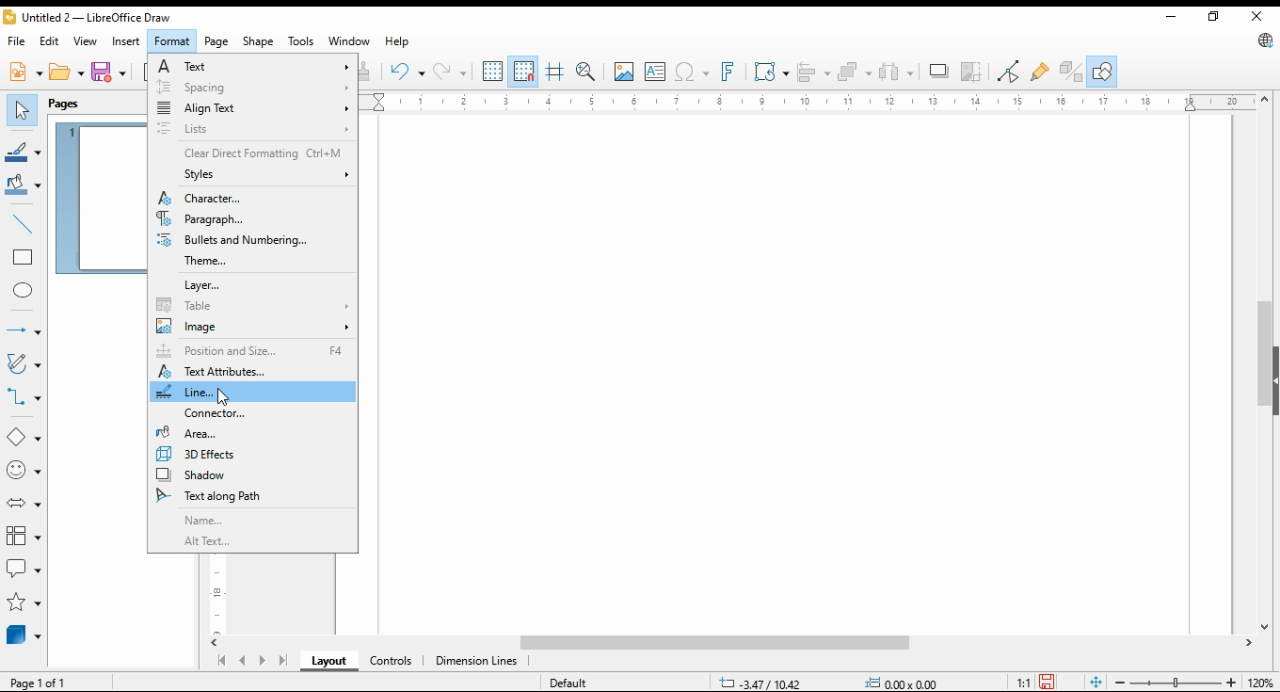  I want to click on dimension lines, so click(477, 662).